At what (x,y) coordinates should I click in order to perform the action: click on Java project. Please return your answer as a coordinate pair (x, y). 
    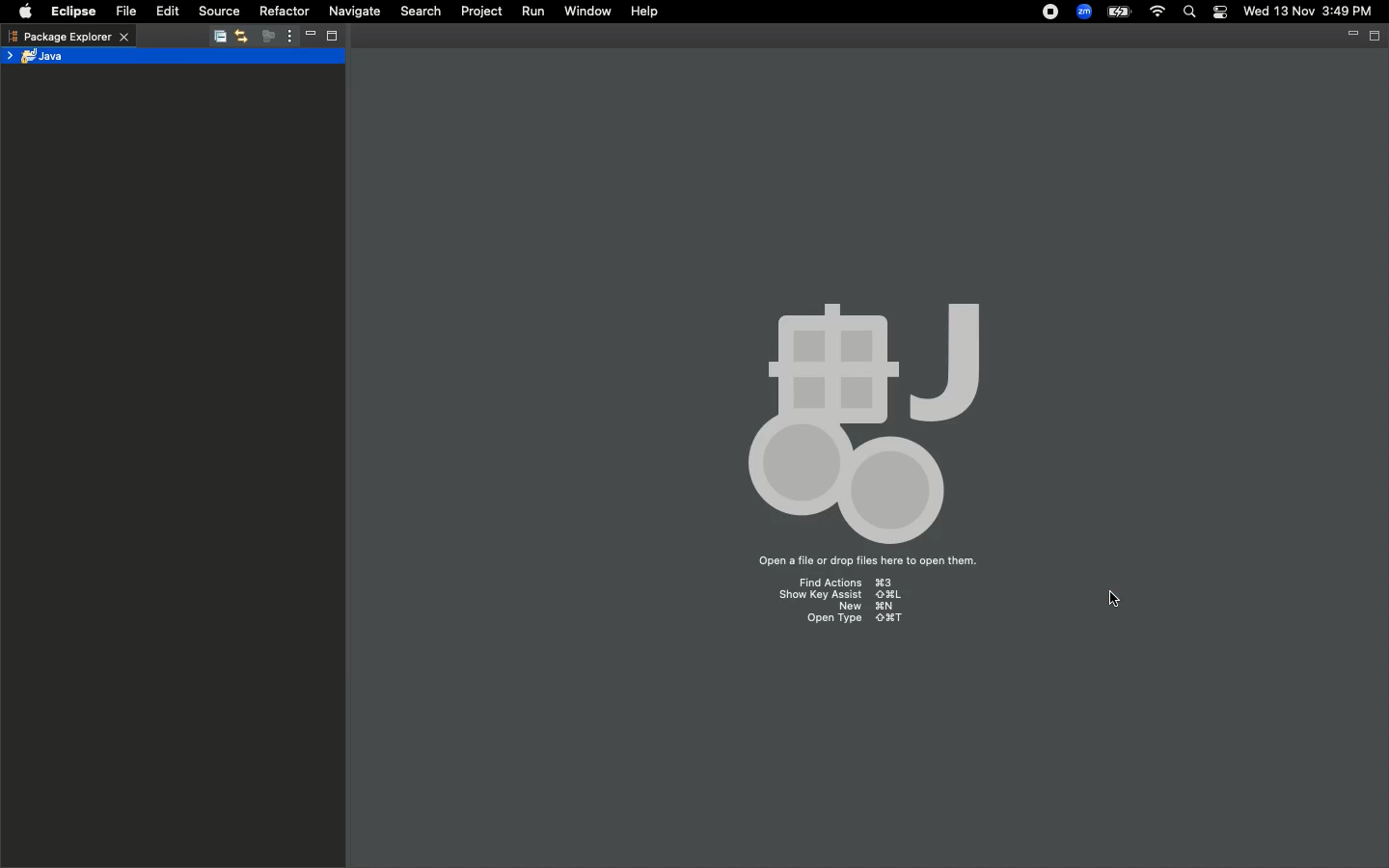
    Looking at the image, I should click on (43, 56).